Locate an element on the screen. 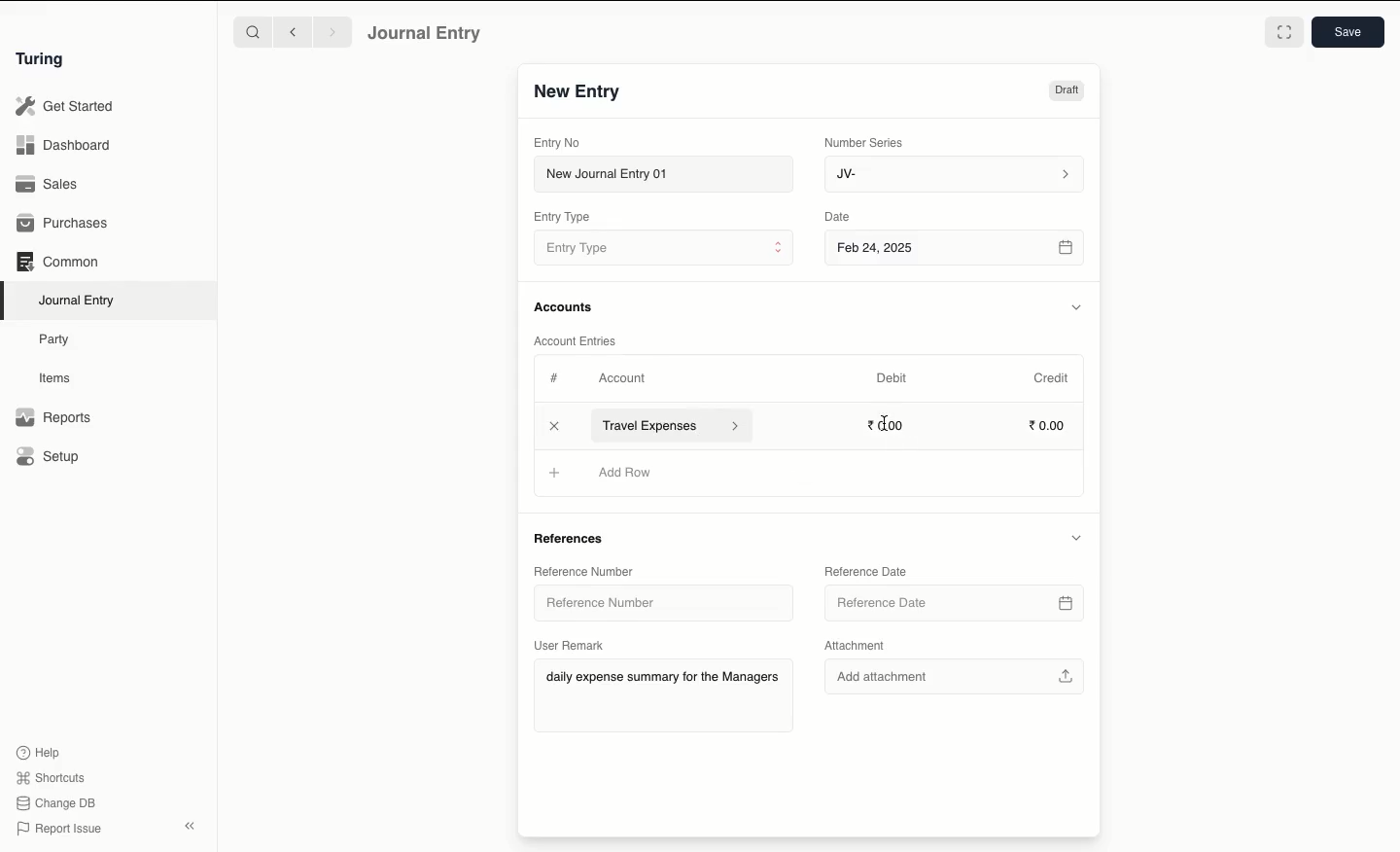 Image resolution: width=1400 pixels, height=852 pixels. 0.00 is located at coordinates (1048, 423).